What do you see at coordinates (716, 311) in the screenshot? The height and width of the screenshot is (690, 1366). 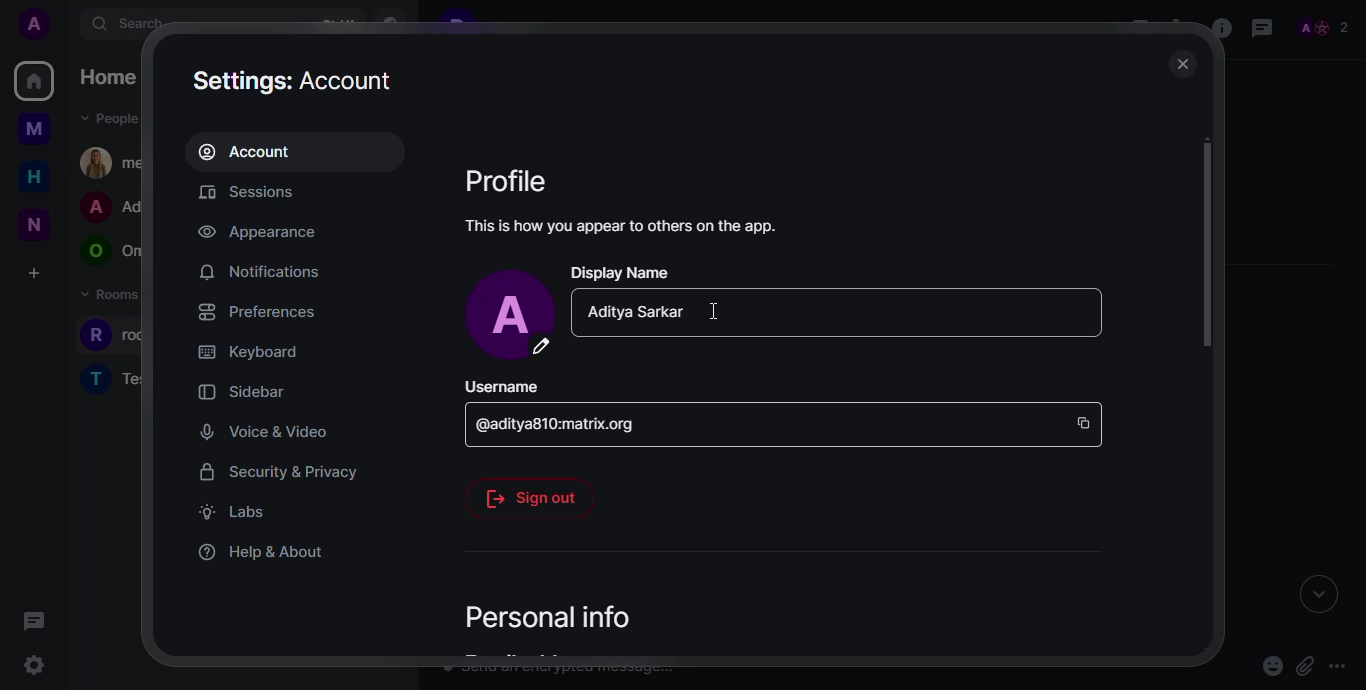 I see `` at bounding box center [716, 311].